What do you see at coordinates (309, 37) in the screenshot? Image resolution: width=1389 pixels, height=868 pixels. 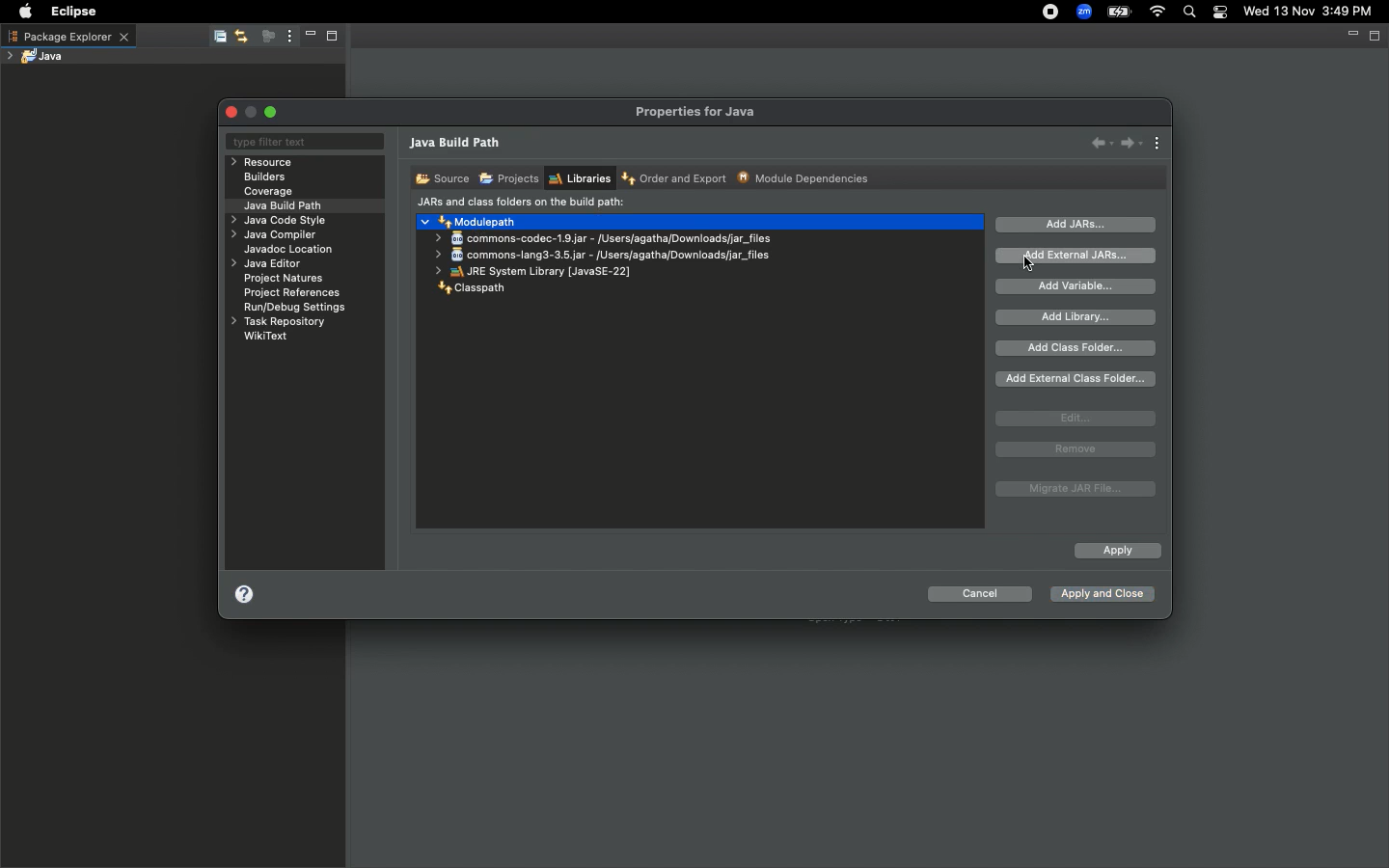 I see `Minimize` at bounding box center [309, 37].